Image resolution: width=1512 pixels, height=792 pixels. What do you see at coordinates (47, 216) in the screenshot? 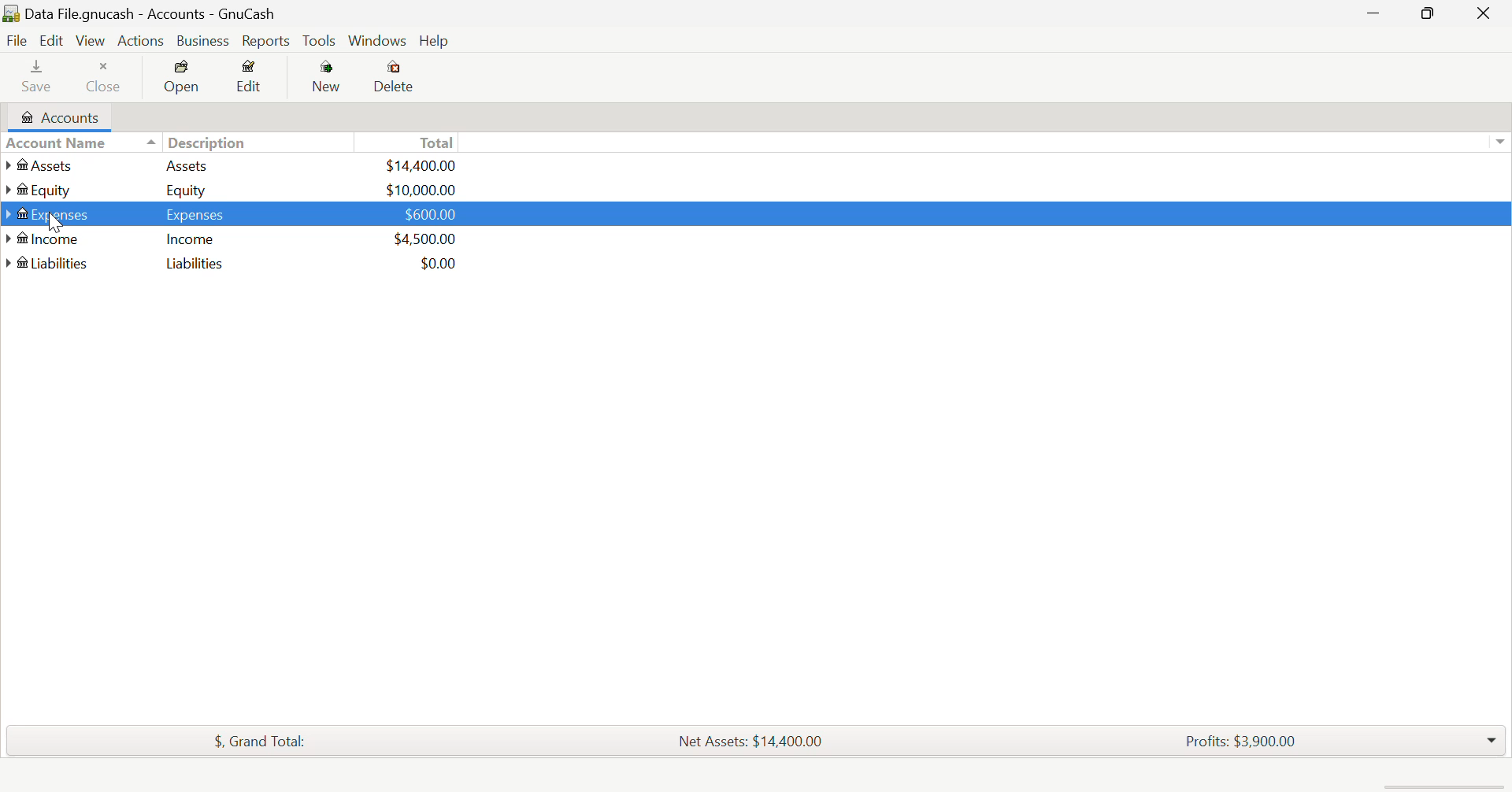
I see `Cursor on Expenses Account` at bounding box center [47, 216].